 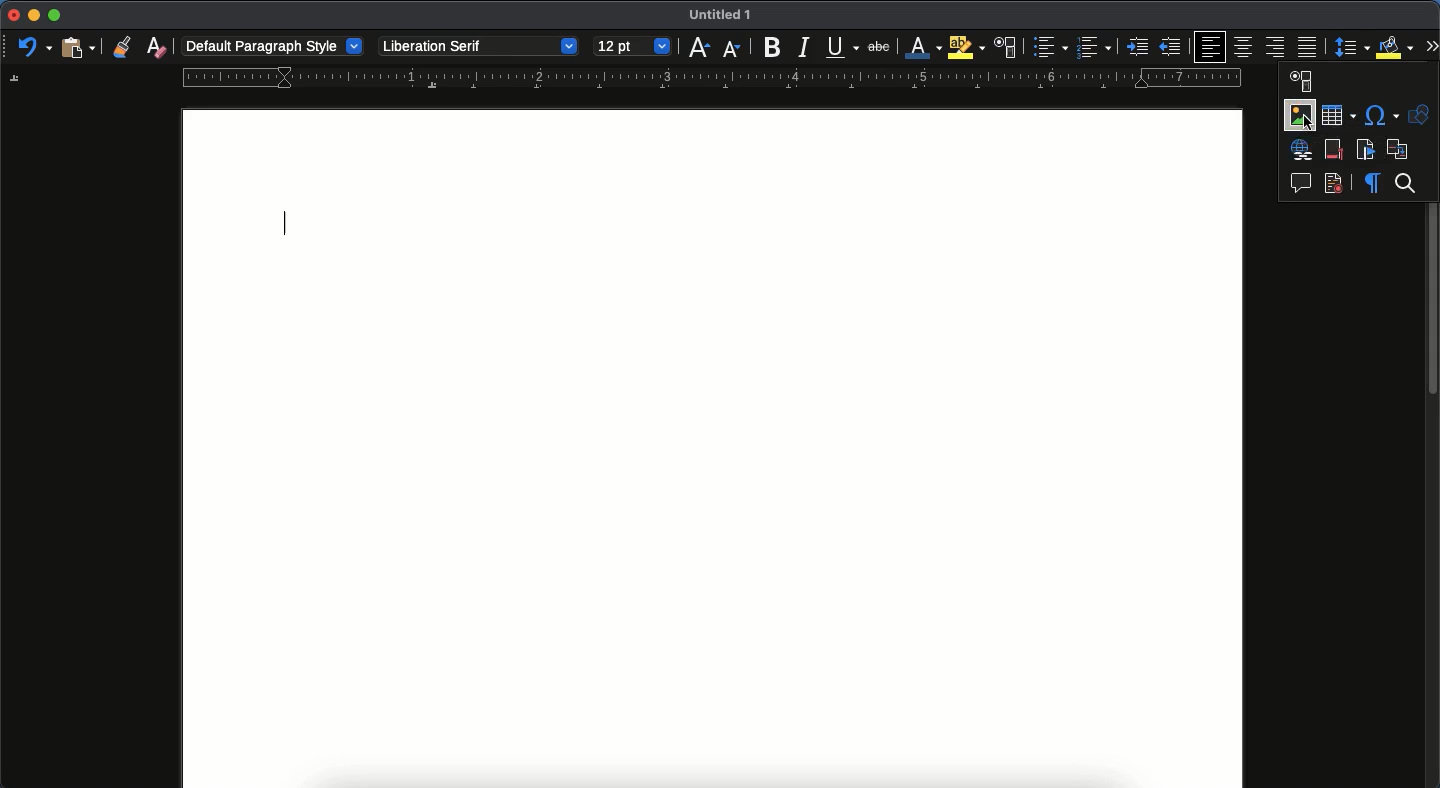 I want to click on bookmark, so click(x=1365, y=149).